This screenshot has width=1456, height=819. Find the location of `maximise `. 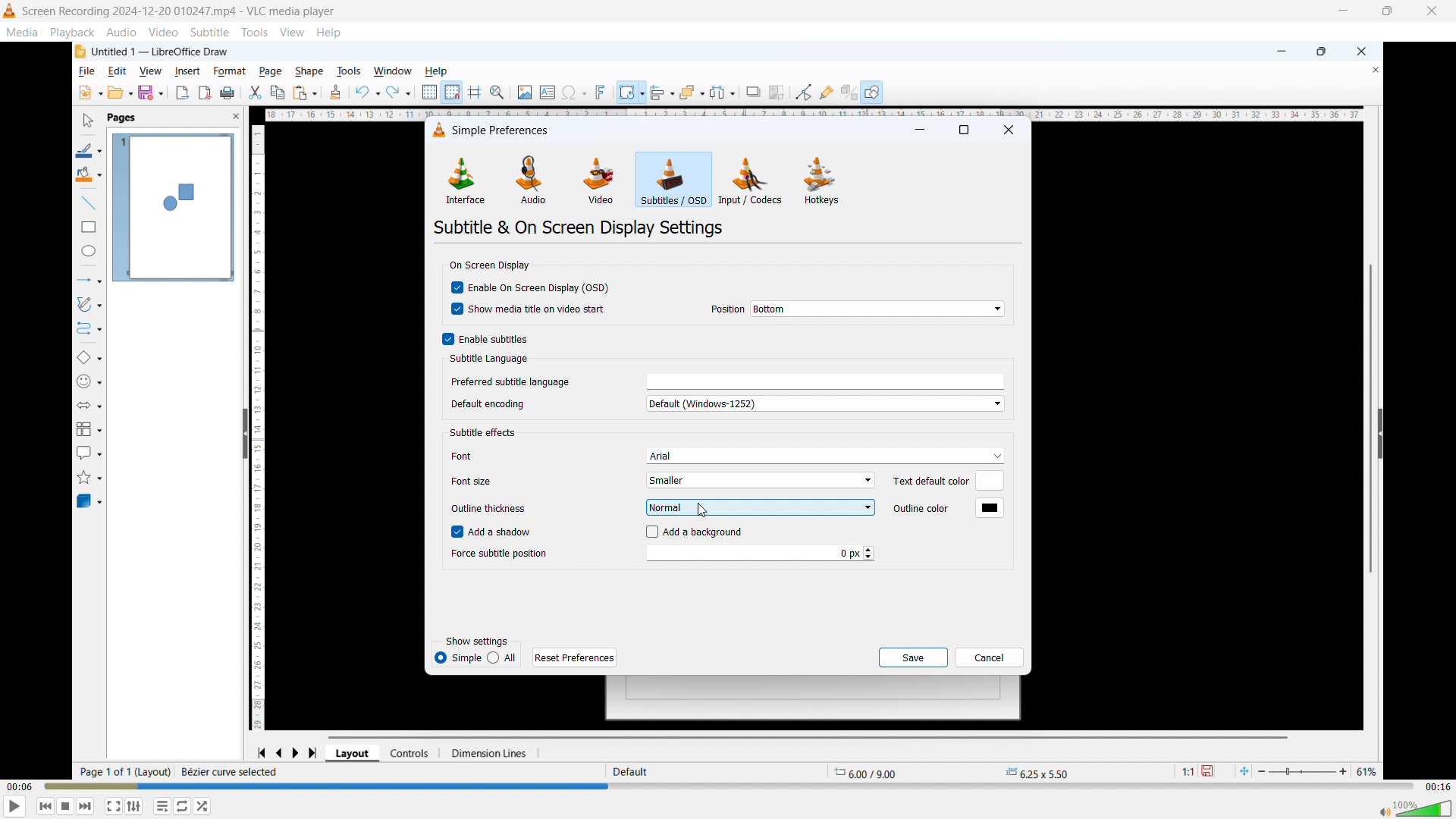

maximise  is located at coordinates (965, 130).